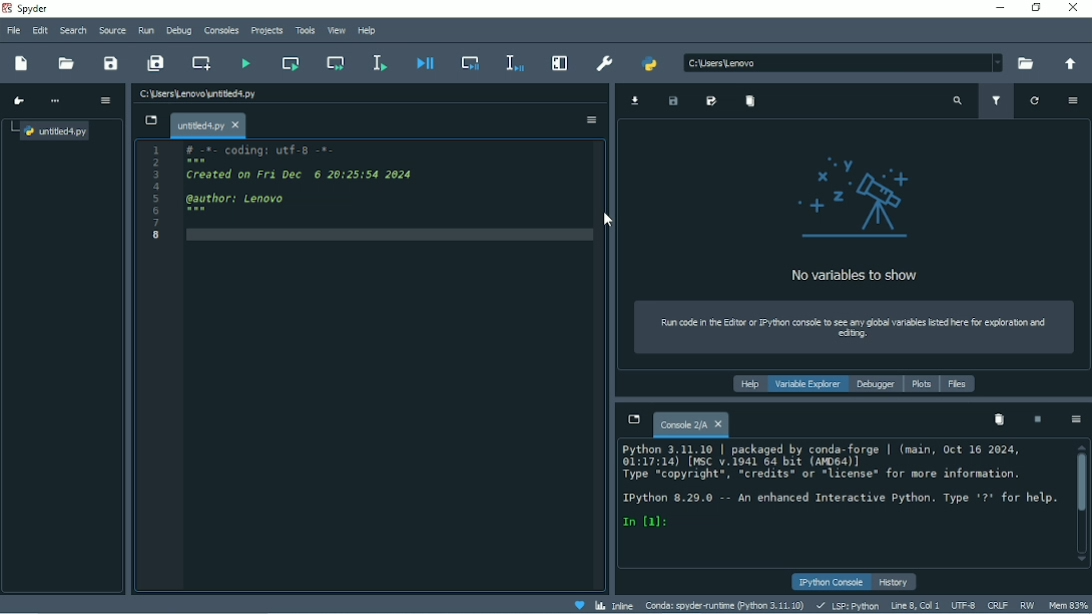 The width and height of the screenshot is (1092, 614). I want to click on Projects, so click(267, 31).